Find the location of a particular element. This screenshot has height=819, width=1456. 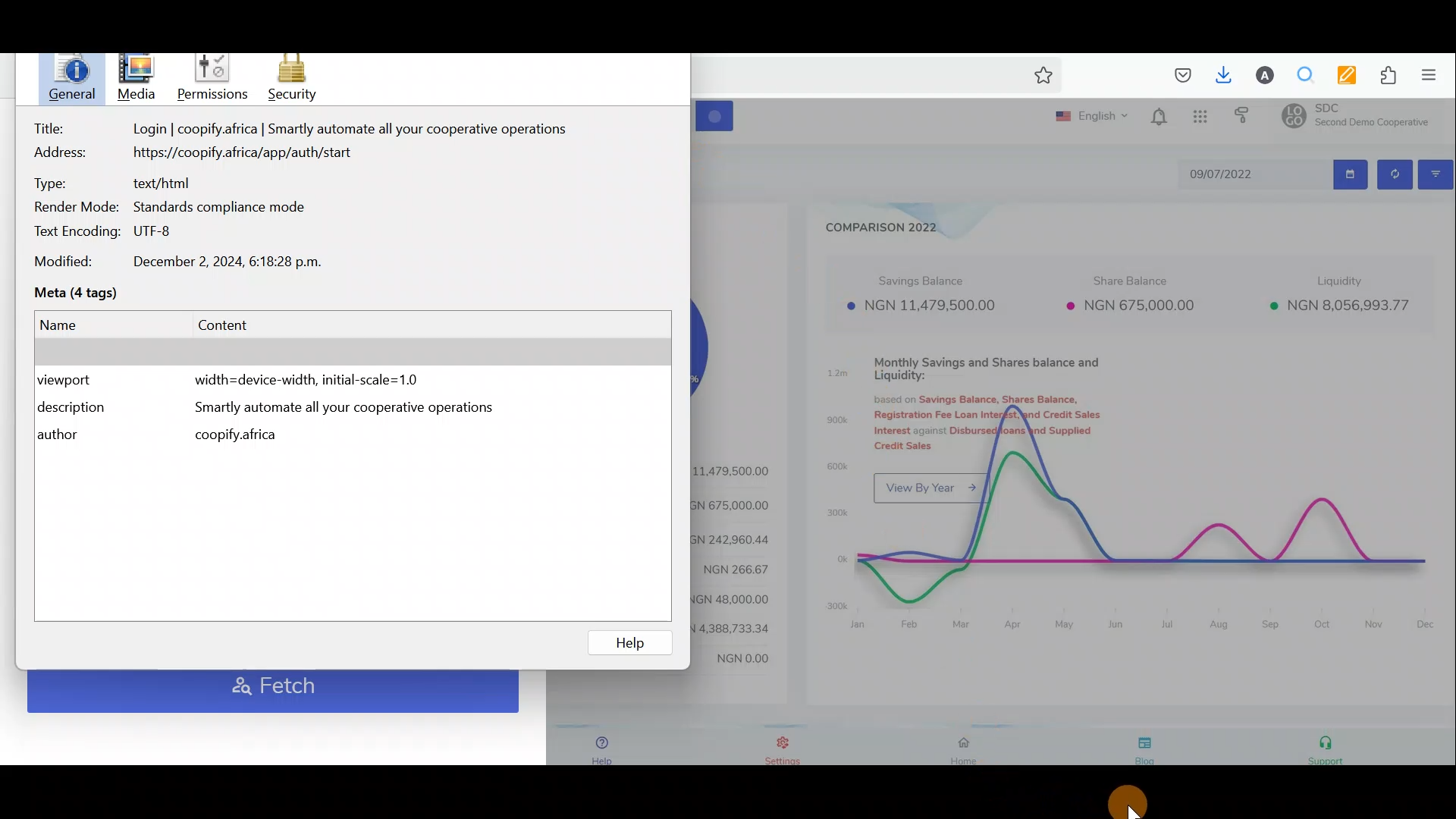

Content is located at coordinates (231, 324).